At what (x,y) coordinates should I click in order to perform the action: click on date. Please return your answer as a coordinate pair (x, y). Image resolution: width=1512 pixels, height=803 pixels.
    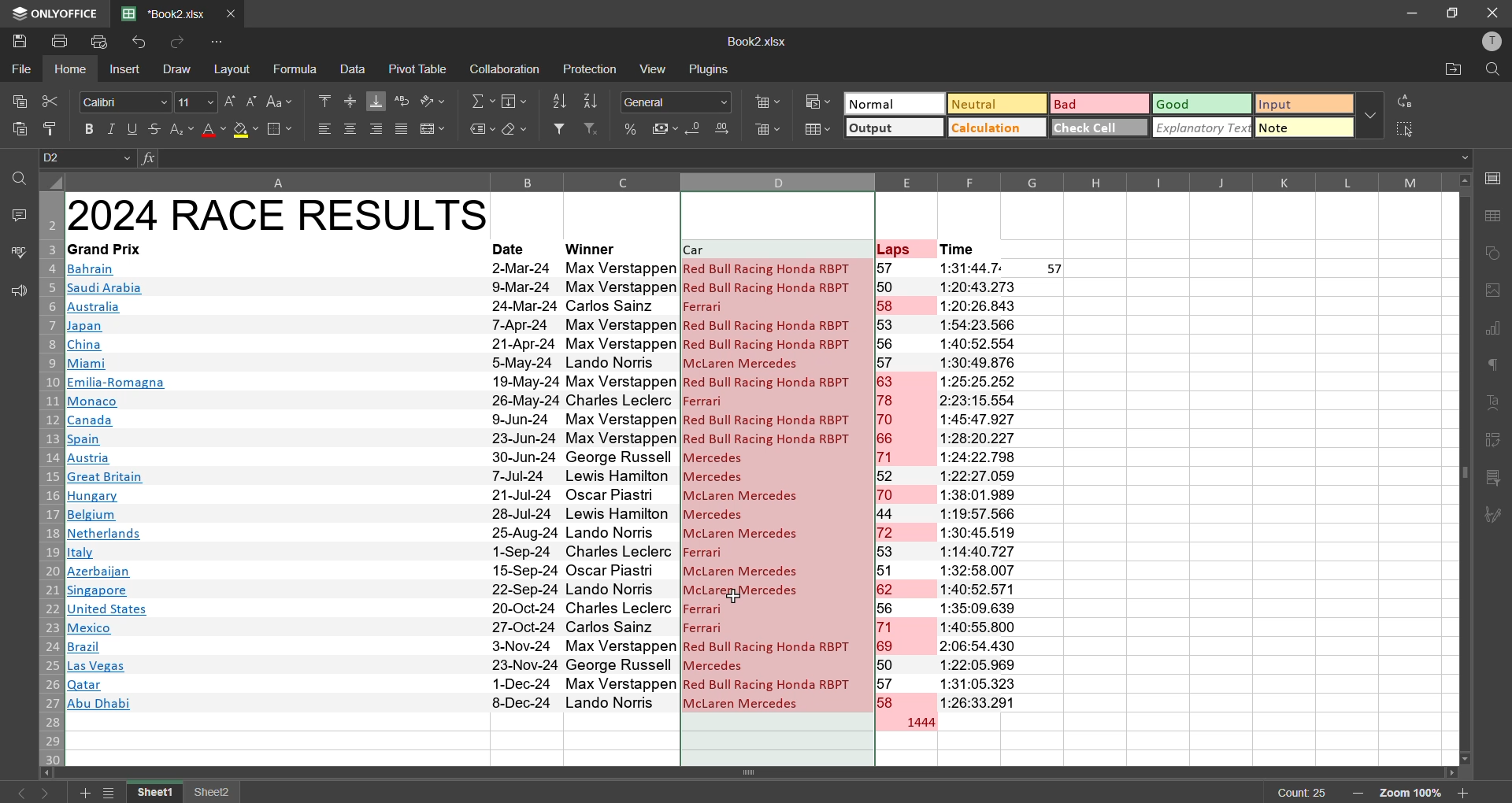
    Looking at the image, I should click on (524, 486).